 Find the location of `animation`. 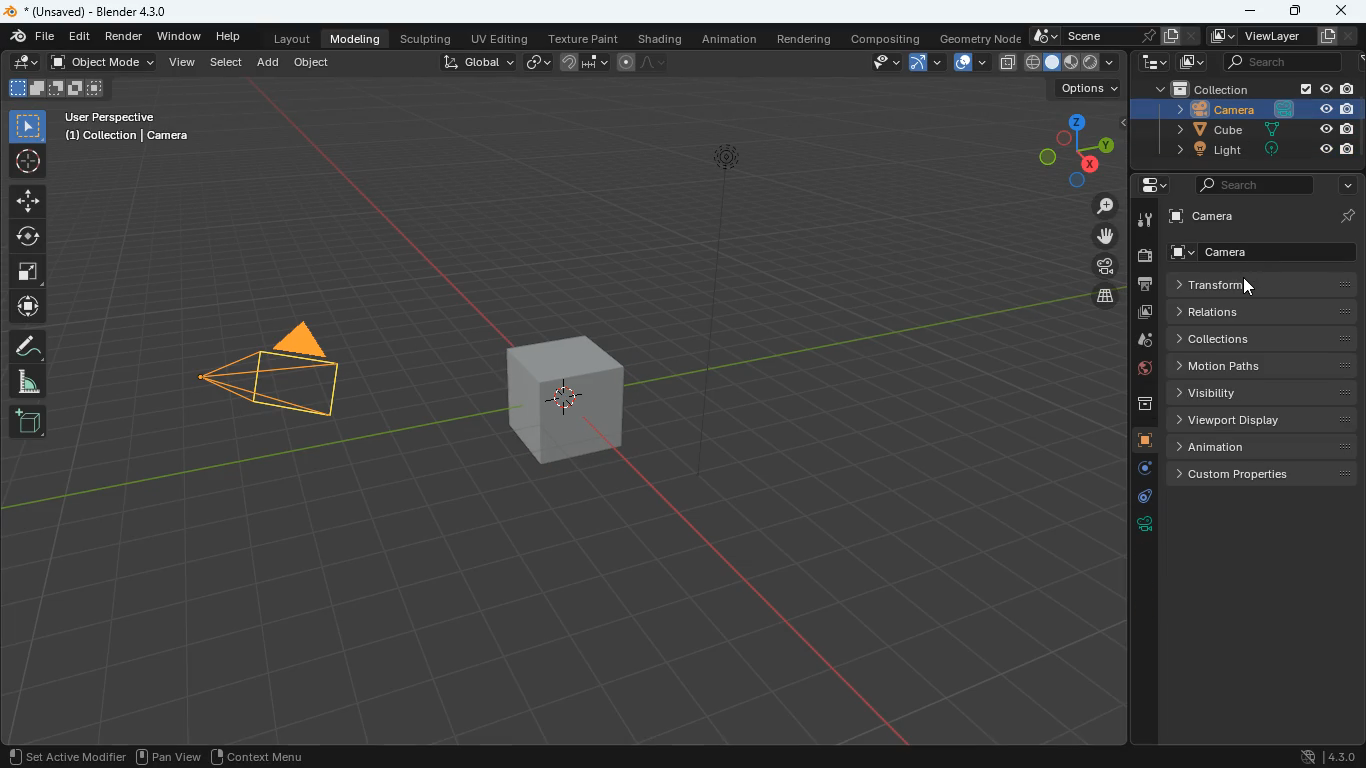

animation is located at coordinates (1263, 447).